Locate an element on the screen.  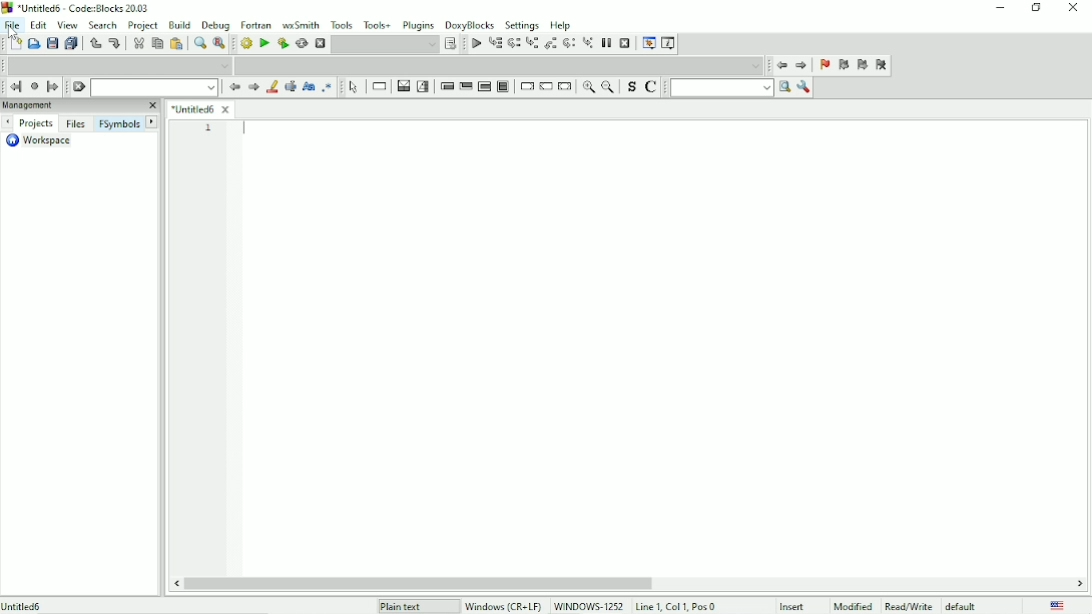
Restore down is located at coordinates (1037, 8).